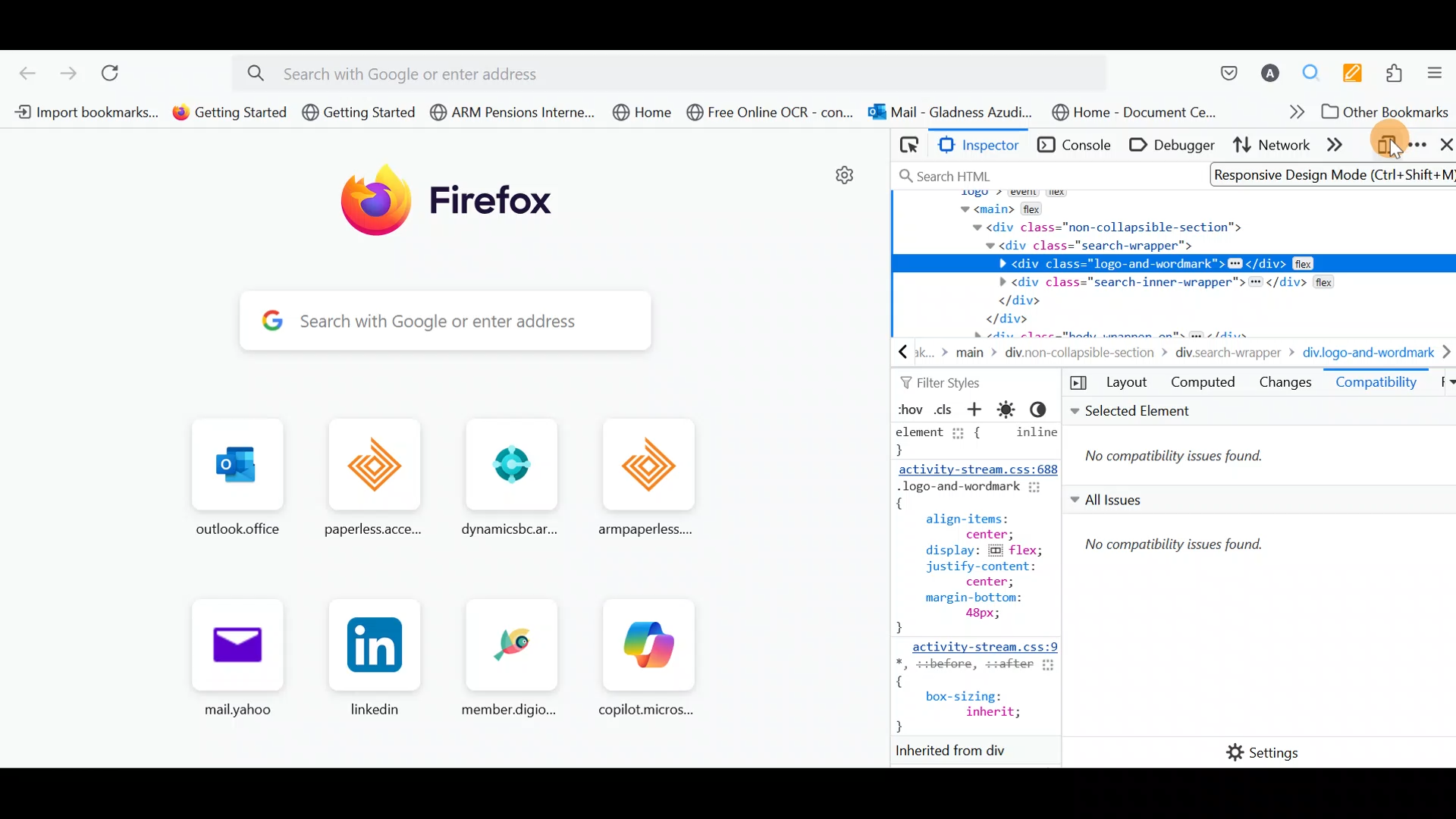 Image resolution: width=1456 pixels, height=819 pixels. I want to click on Debugger, so click(1169, 146).